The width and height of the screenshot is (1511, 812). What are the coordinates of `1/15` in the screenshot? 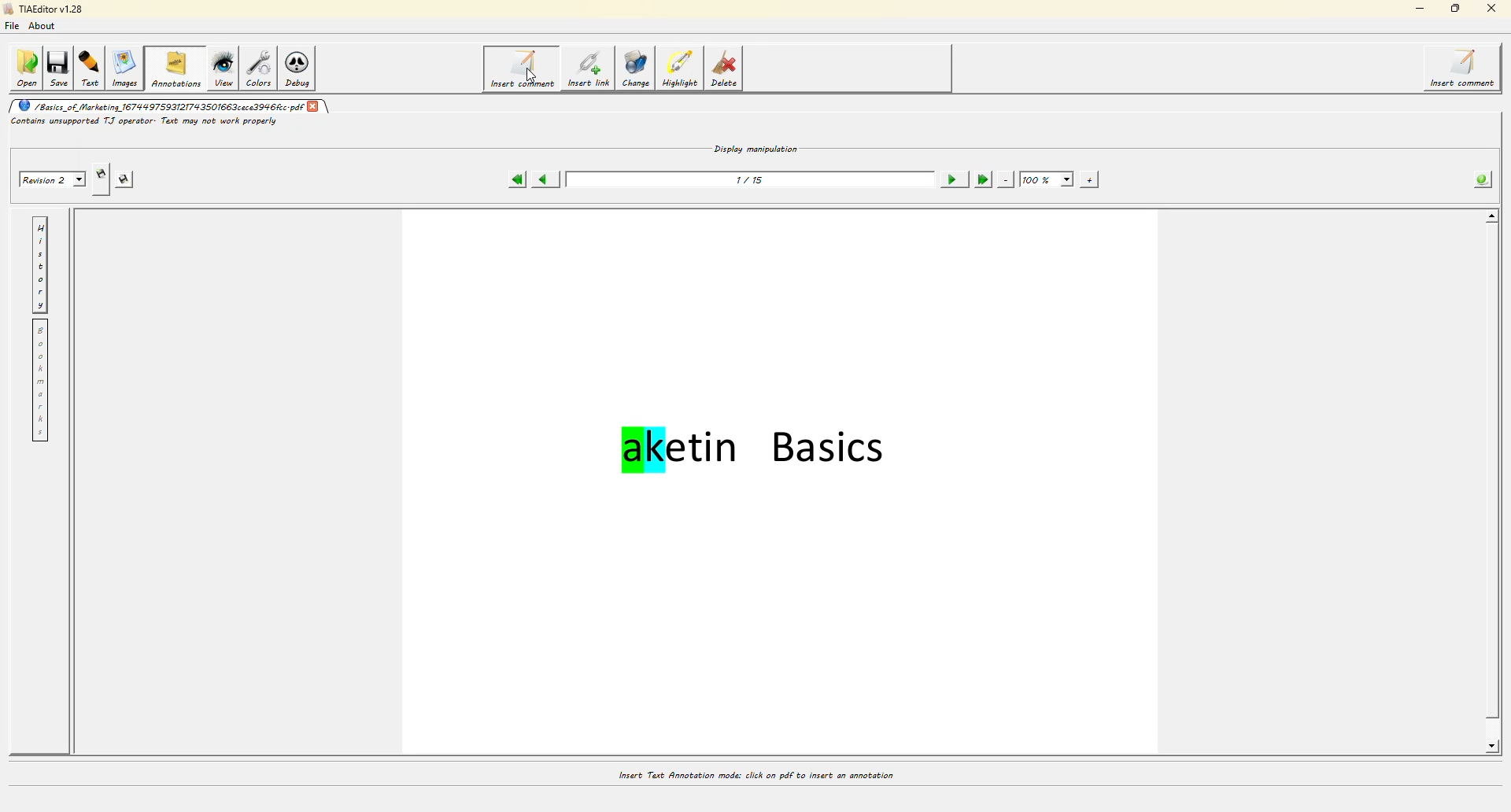 It's located at (752, 179).